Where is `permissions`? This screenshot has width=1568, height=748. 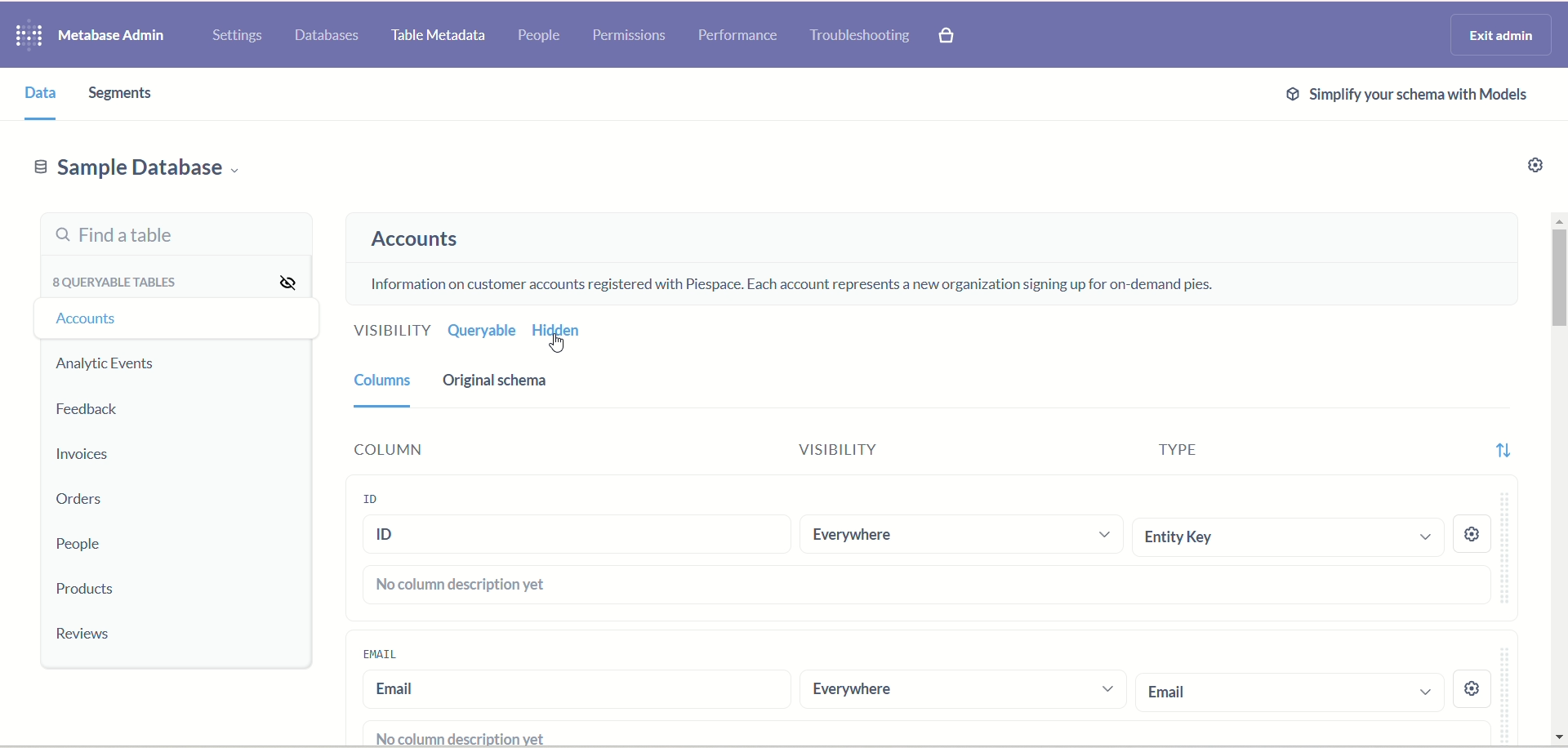 permissions is located at coordinates (630, 35).